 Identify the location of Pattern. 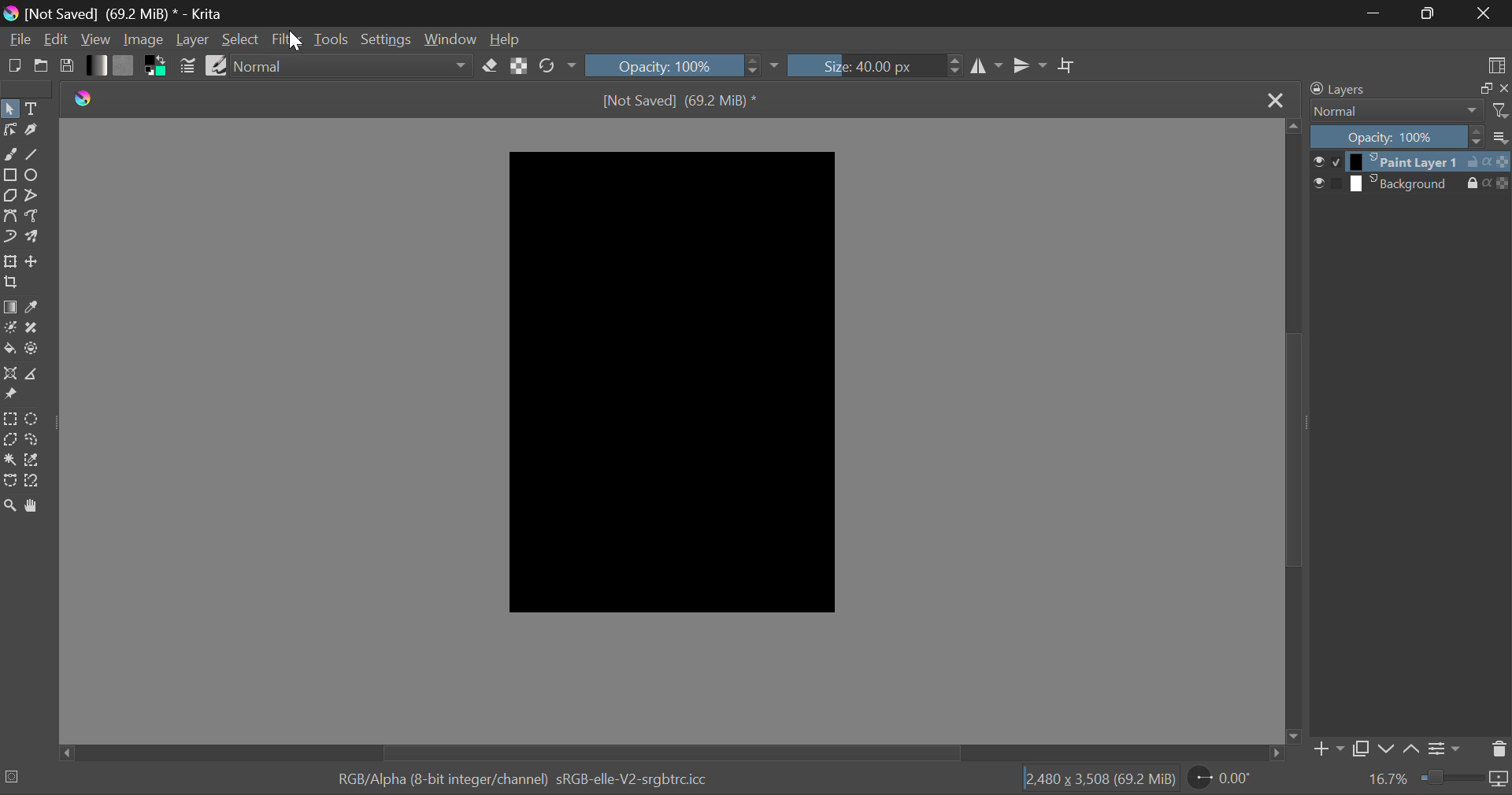
(126, 65).